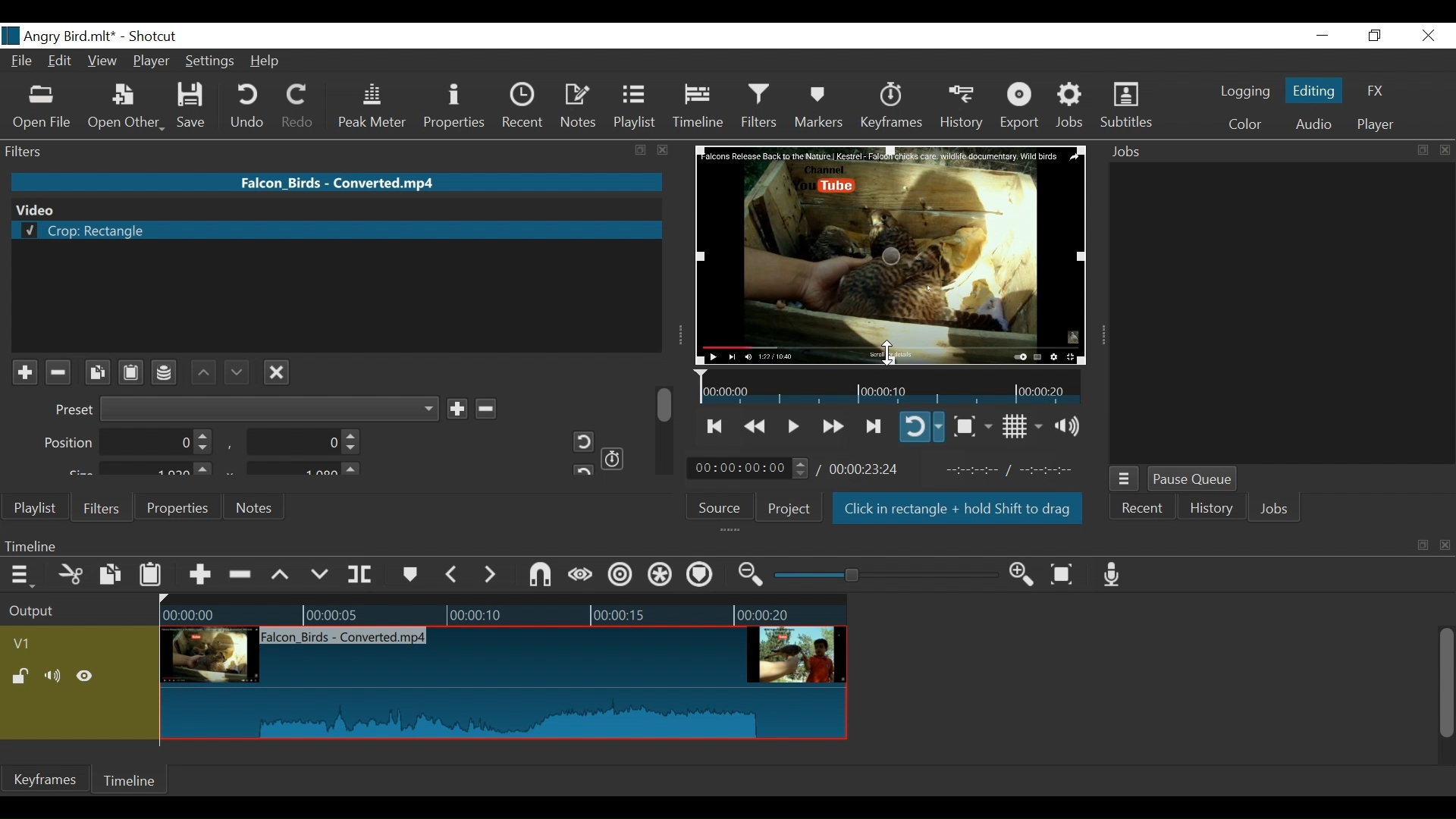  What do you see at coordinates (308, 150) in the screenshot?
I see `filters` at bounding box center [308, 150].